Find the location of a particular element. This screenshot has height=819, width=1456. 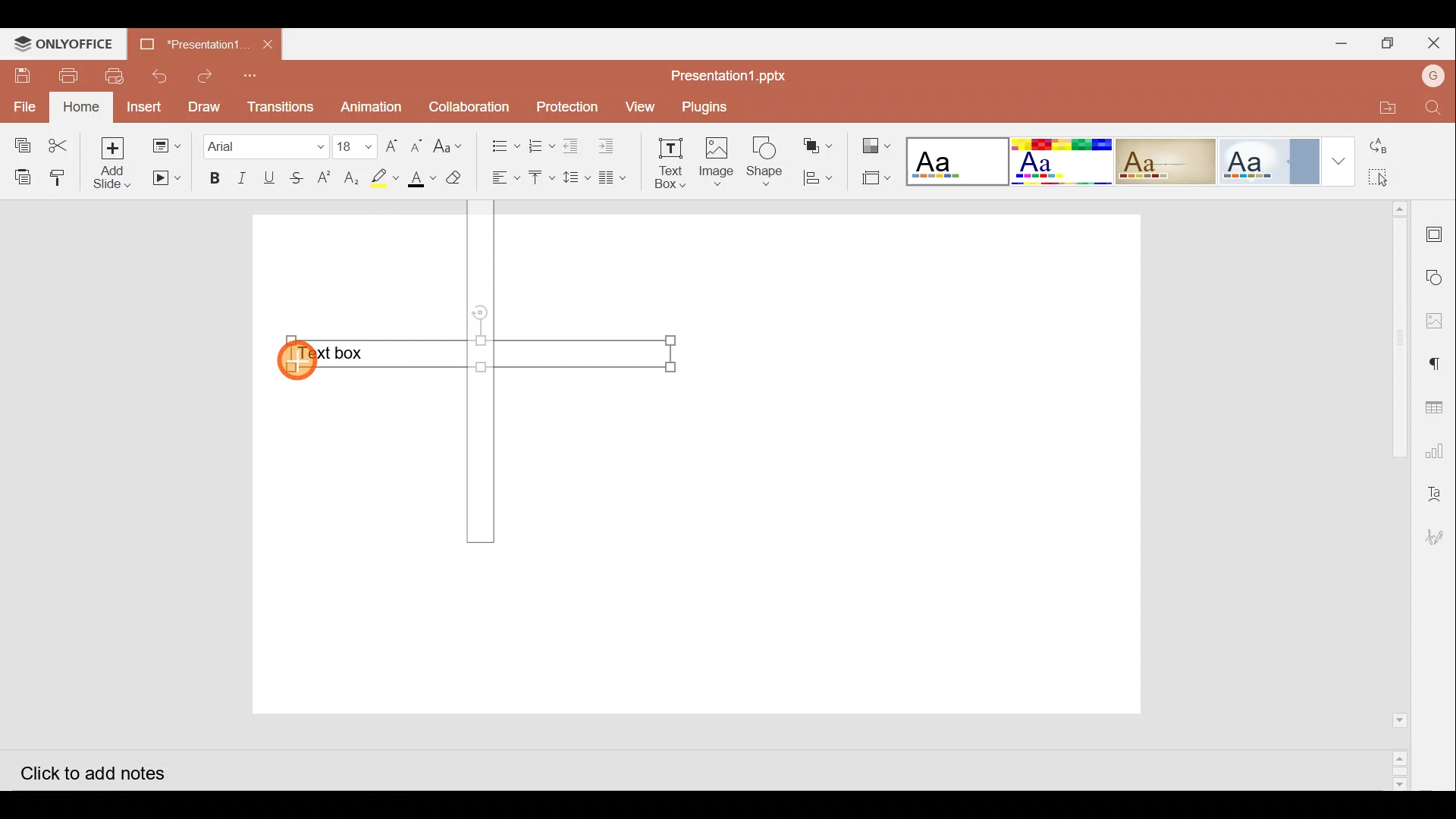

Close is located at coordinates (1437, 44).